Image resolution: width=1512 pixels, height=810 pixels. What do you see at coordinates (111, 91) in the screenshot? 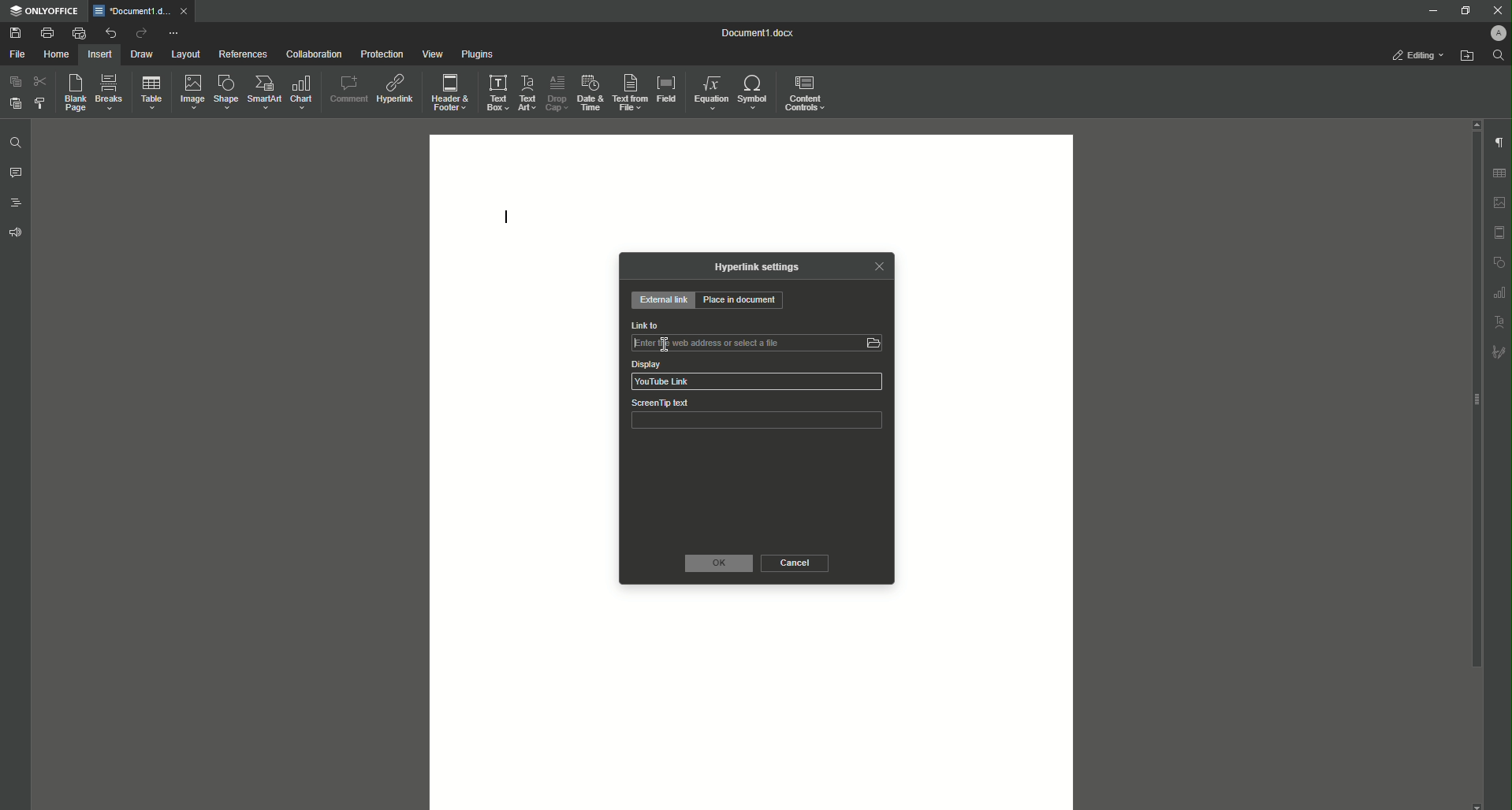
I see `Breaks` at bounding box center [111, 91].